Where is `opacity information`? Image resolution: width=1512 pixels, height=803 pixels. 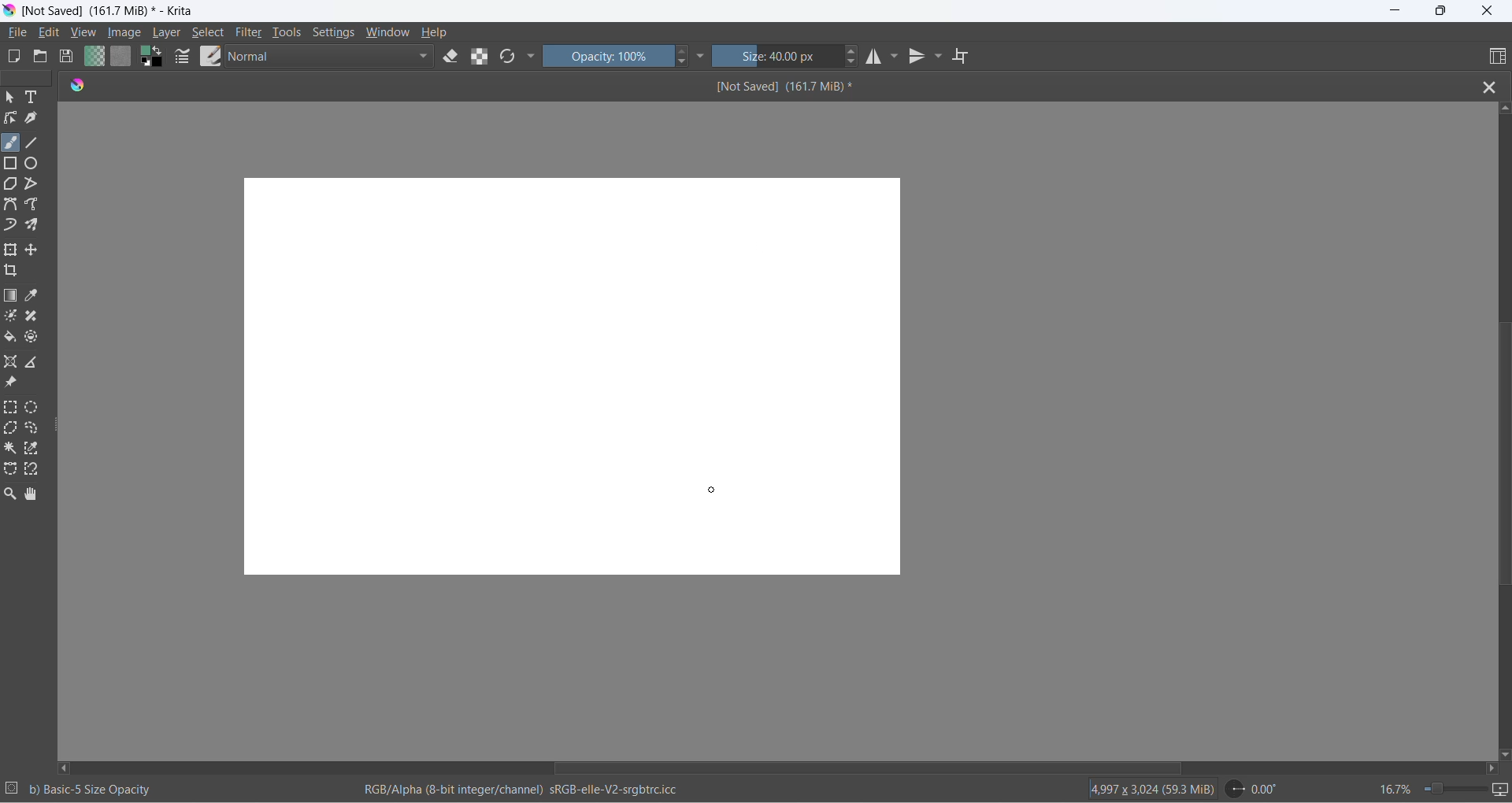
opacity information is located at coordinates (92, 790).